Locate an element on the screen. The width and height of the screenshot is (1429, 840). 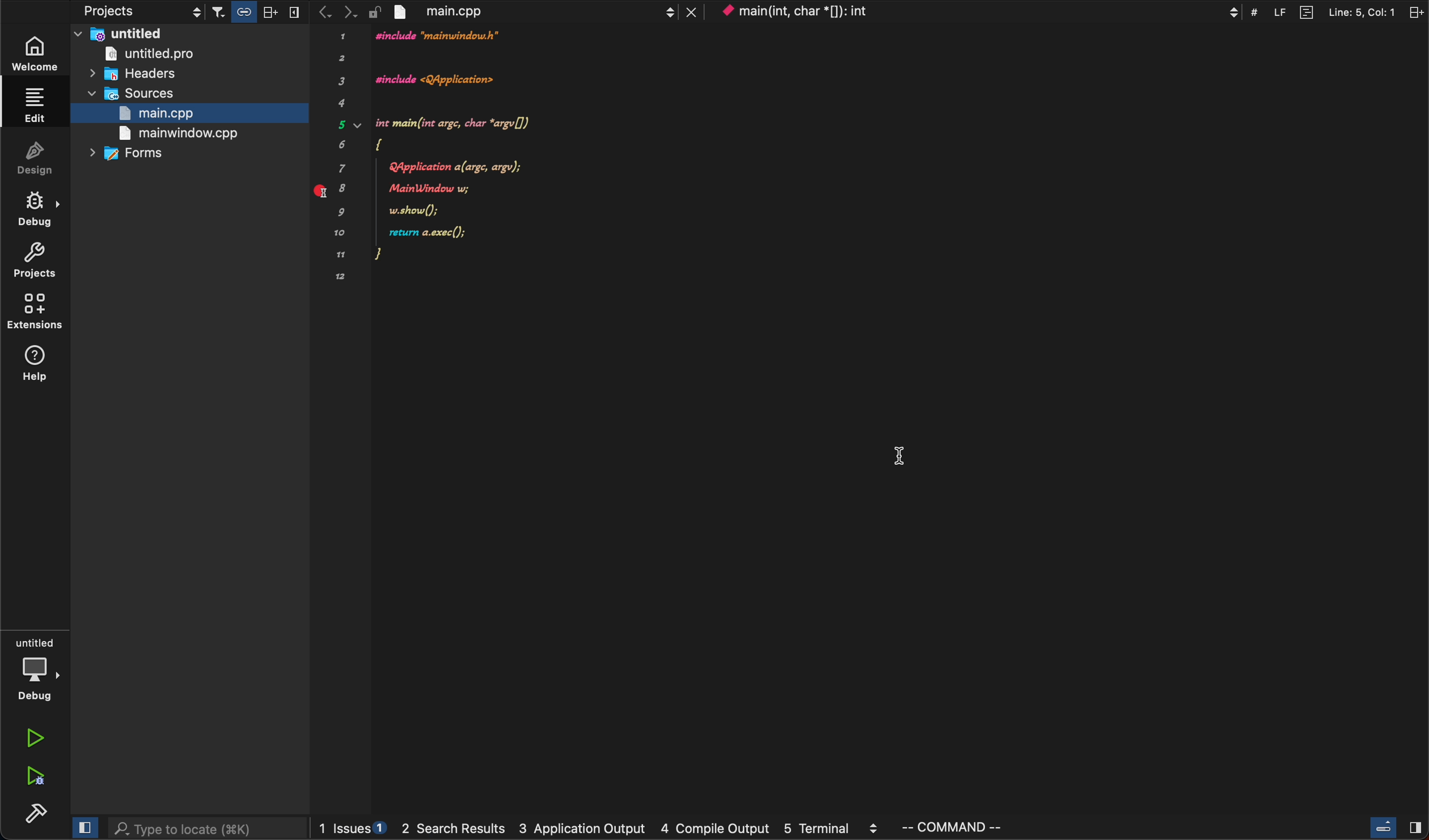
design is located at coordinates (36, 158).